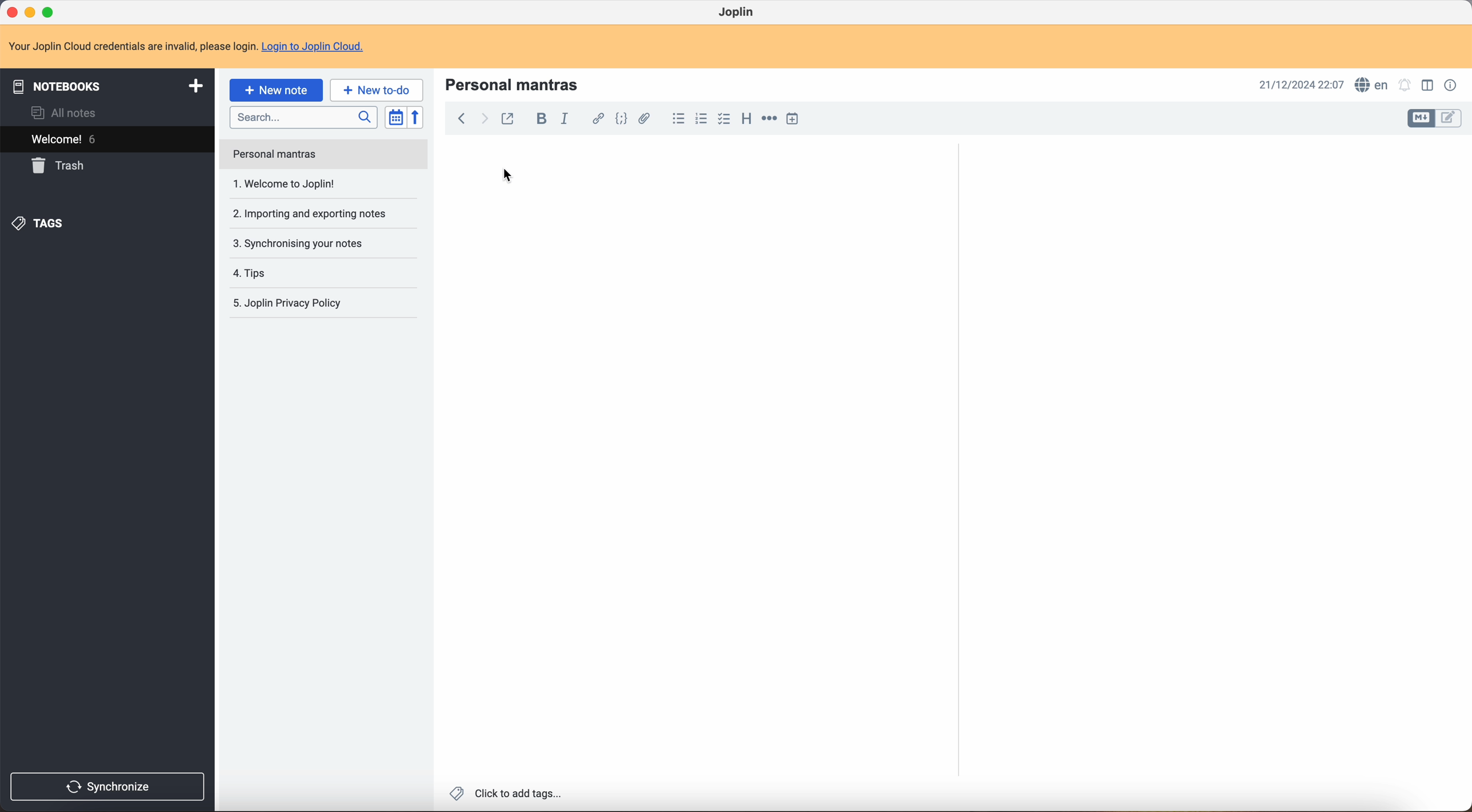  I want to click on toggle edit layout, so click(1430, 85).